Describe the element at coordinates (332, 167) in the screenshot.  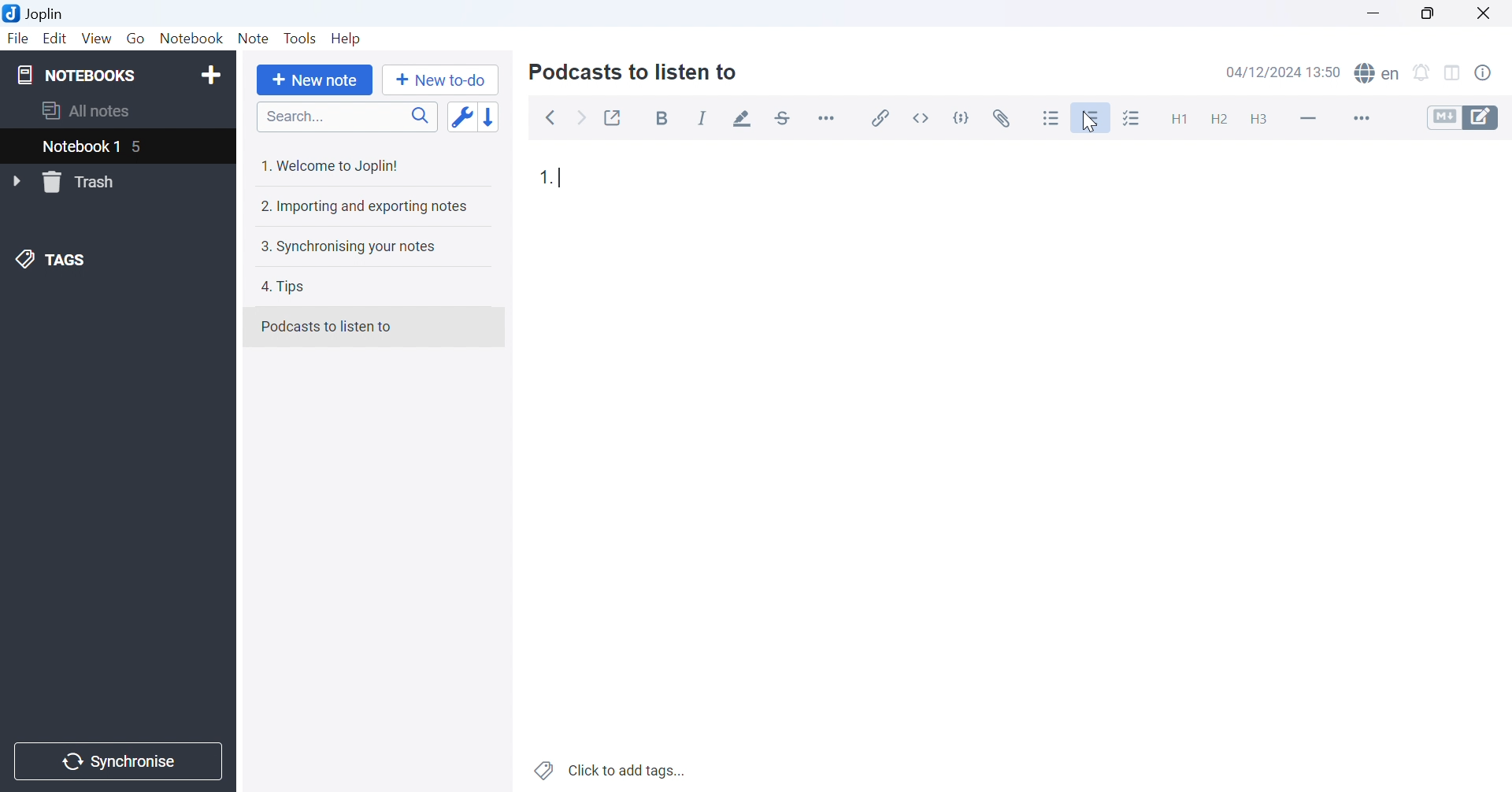
I see `1. Welcome to Joplin!` at that location.